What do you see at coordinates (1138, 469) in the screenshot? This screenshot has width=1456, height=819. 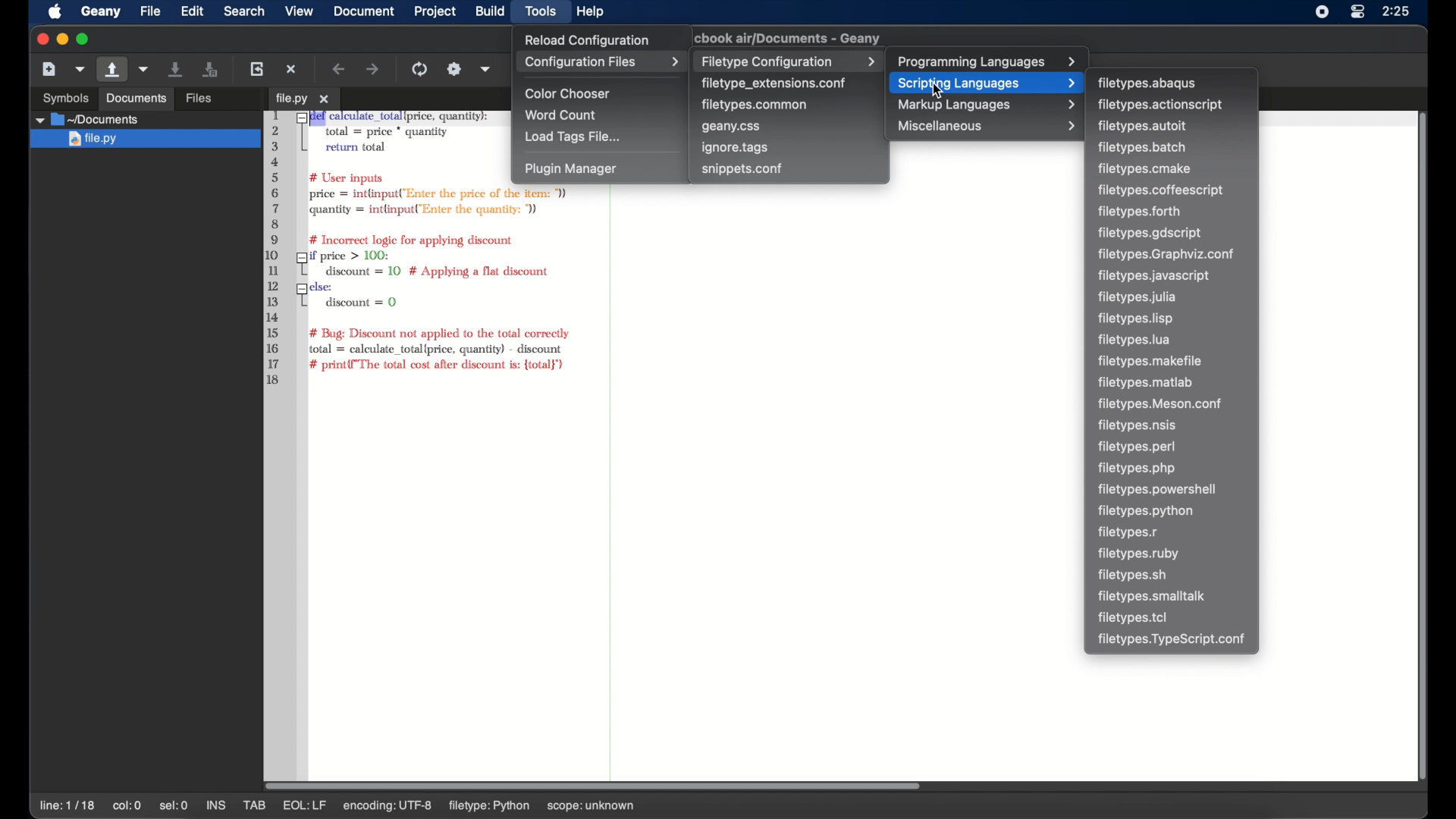 I see `filetypes` at bounding box center [1138, 469].